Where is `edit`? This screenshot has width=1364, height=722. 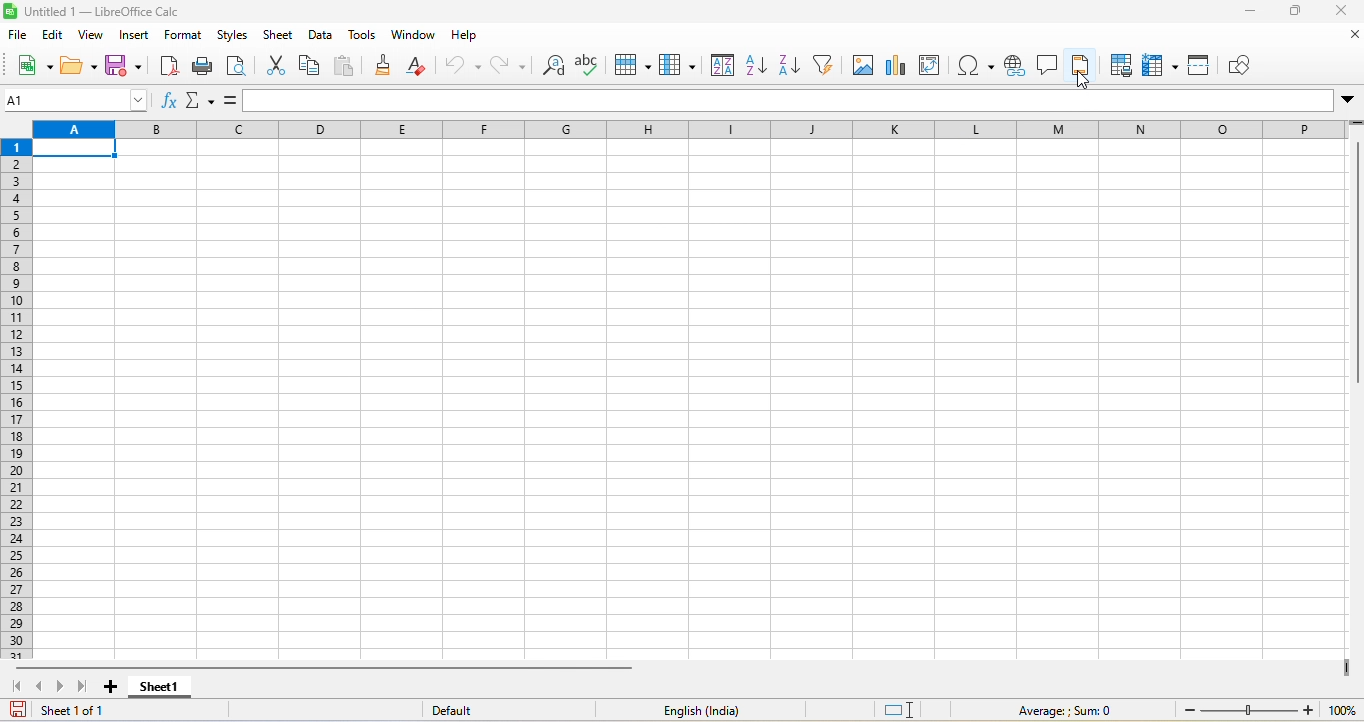 edit is located at coordinates (52, 37).